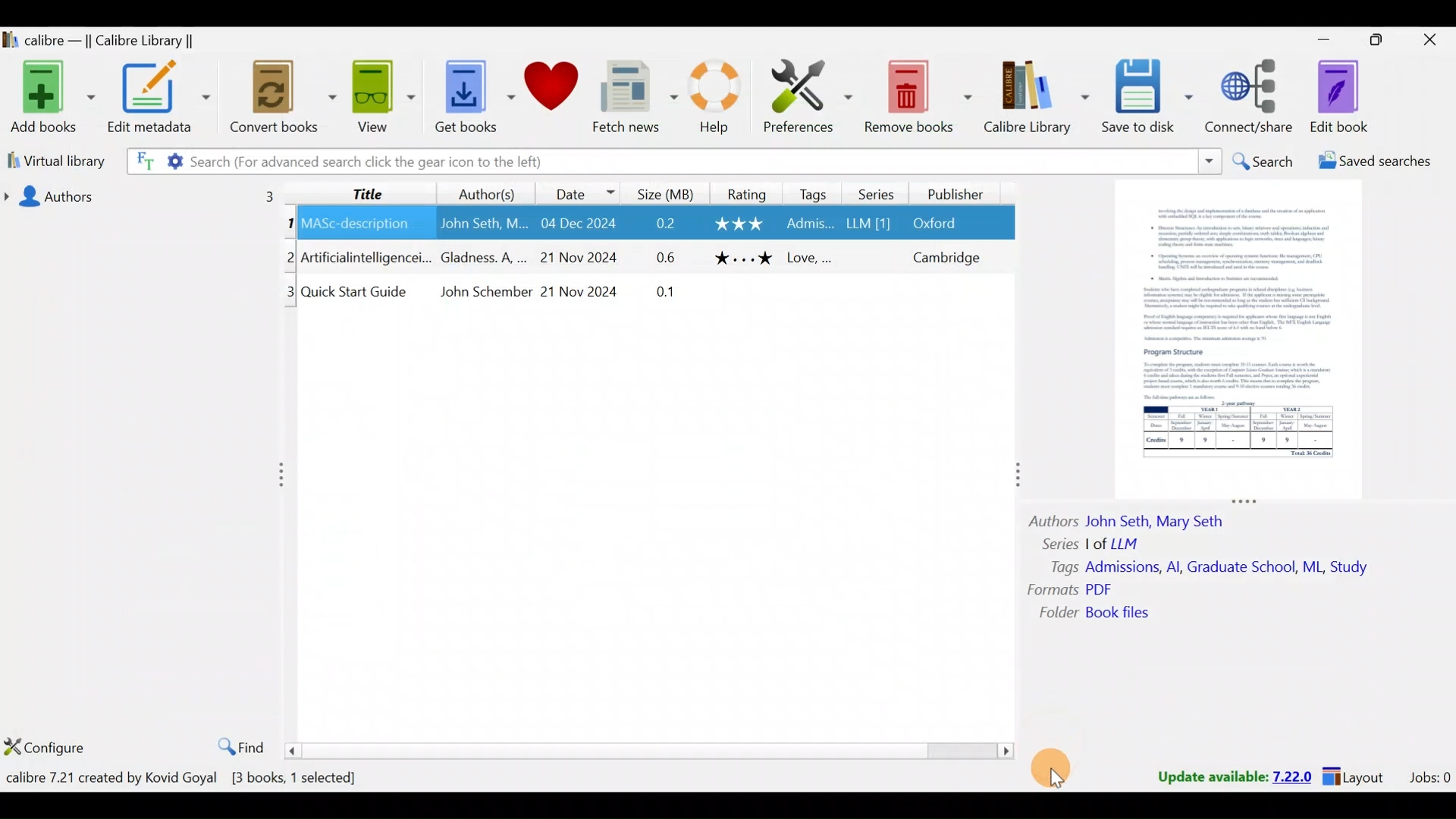 The height and width of the screenshot is (819, 1456). What do you see at coordinates (1056, 567) in the screenshot?
I see `` at bounding box center [1056, 567].